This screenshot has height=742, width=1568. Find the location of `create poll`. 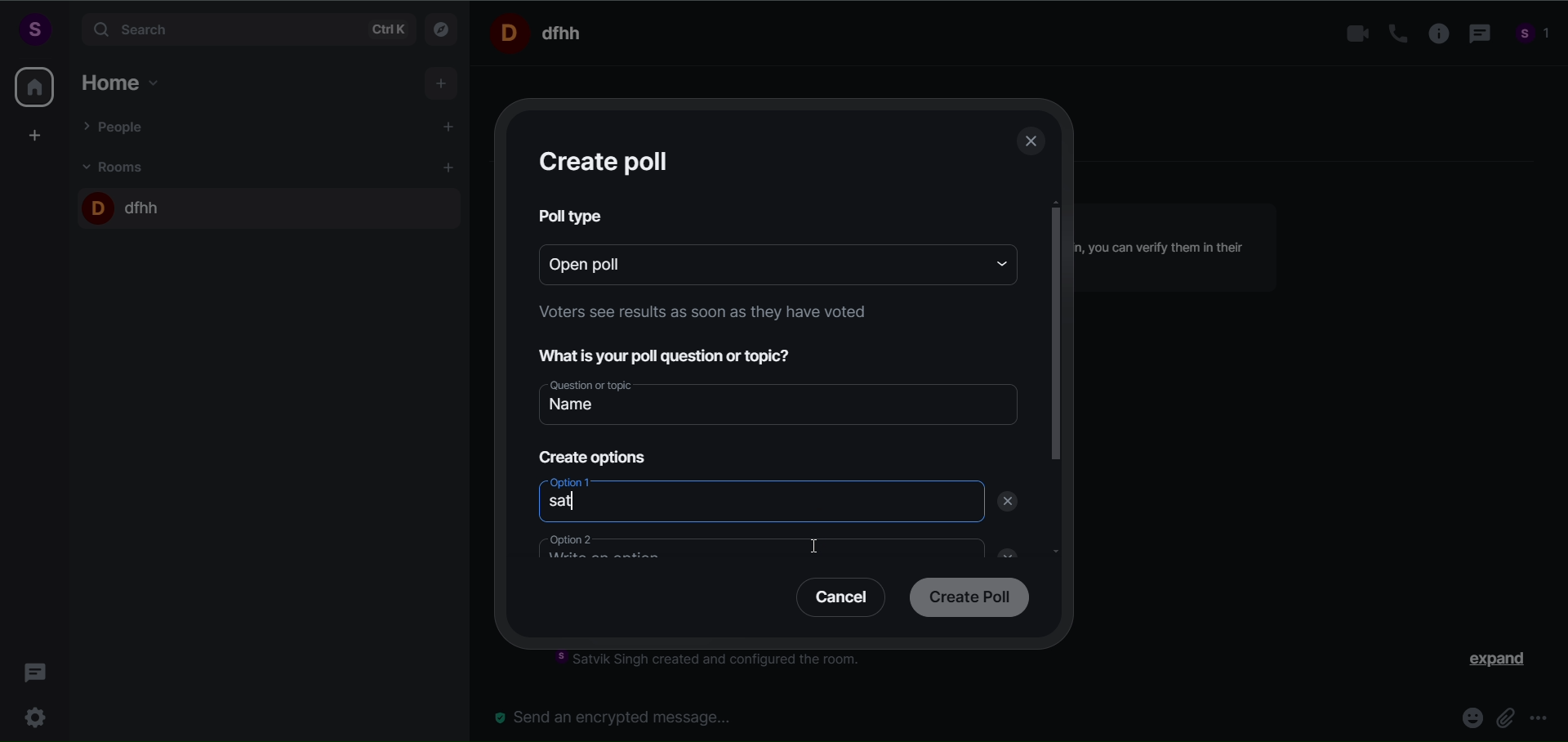

create poll is located at coordinates (608, 161).